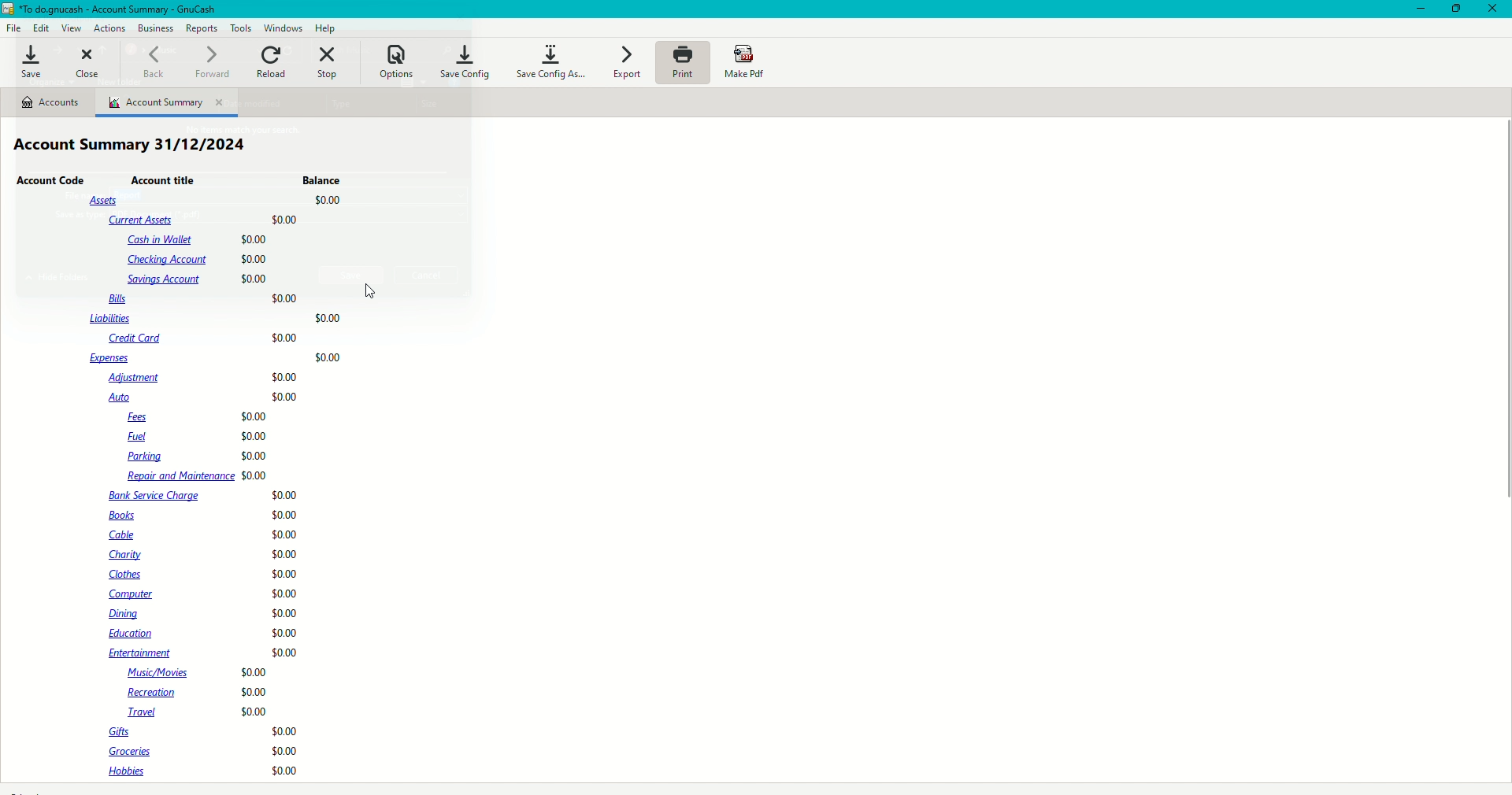  What do you see at coordinates (210, 487) in the screenshot?
I see `Account details` at bounding box center [210, 487].